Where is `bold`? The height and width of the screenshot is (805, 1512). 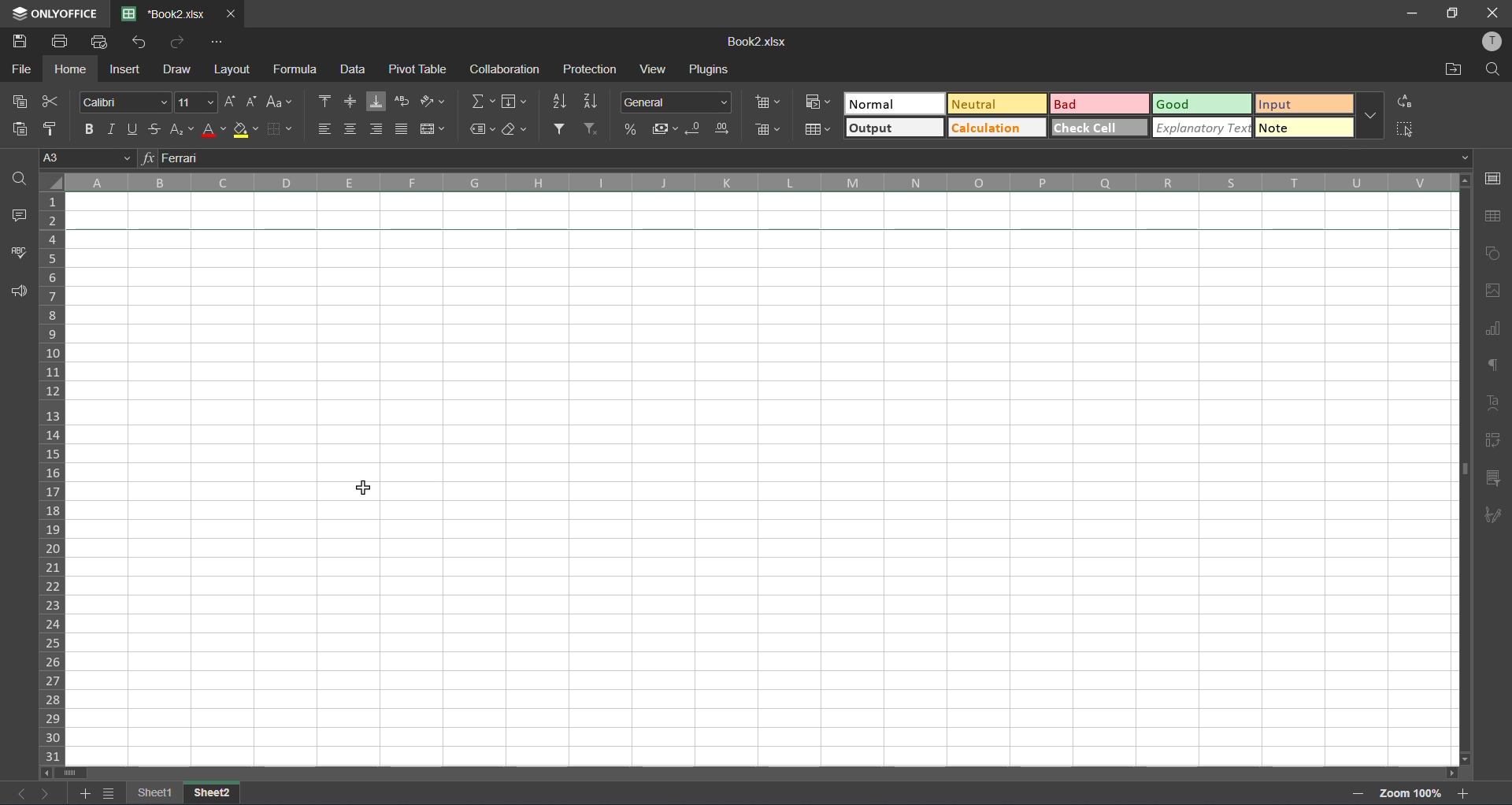
bold is located at coordinates (89, 127).